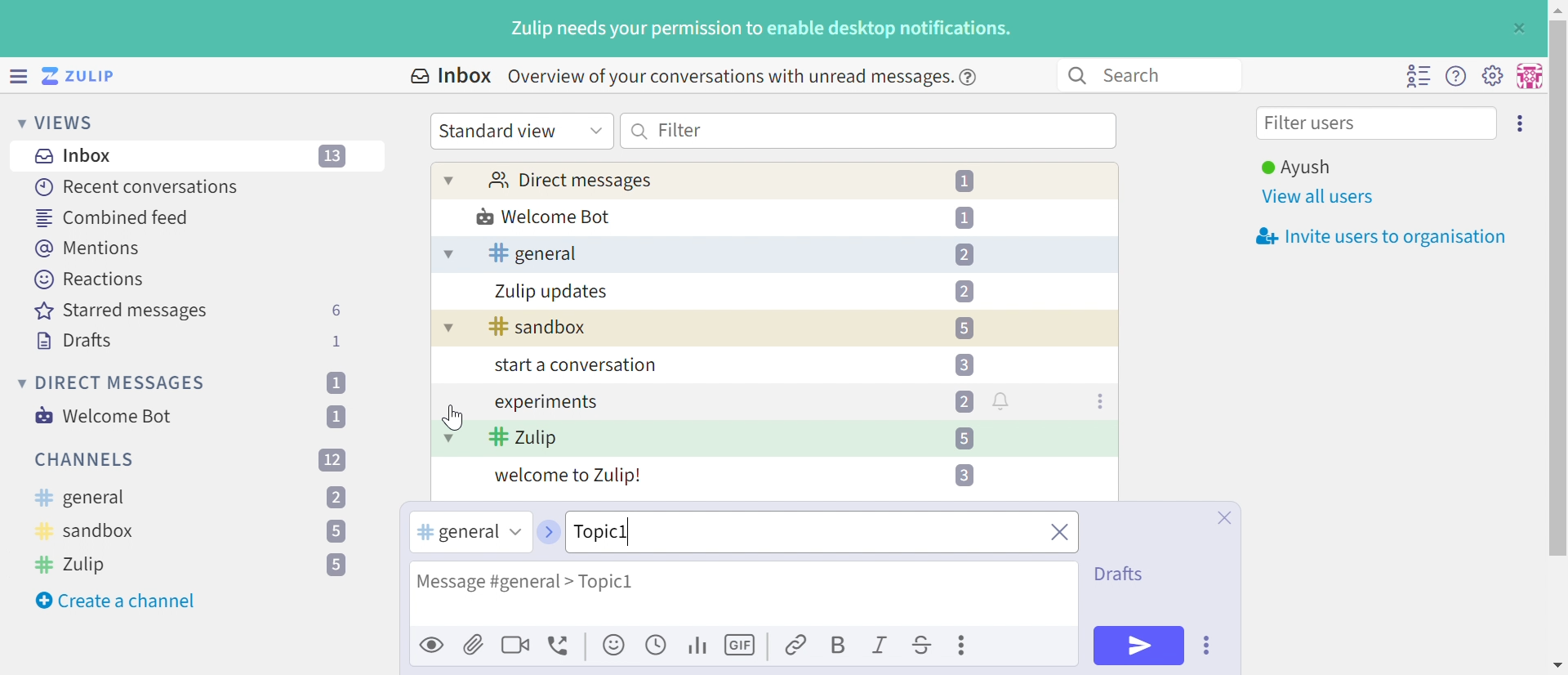 The height and width of the screenshot is (675, 1568). What do you see at coordinates (515, 644) in the screenshot?
I see `Add video call` at bounding box center [515, 644].